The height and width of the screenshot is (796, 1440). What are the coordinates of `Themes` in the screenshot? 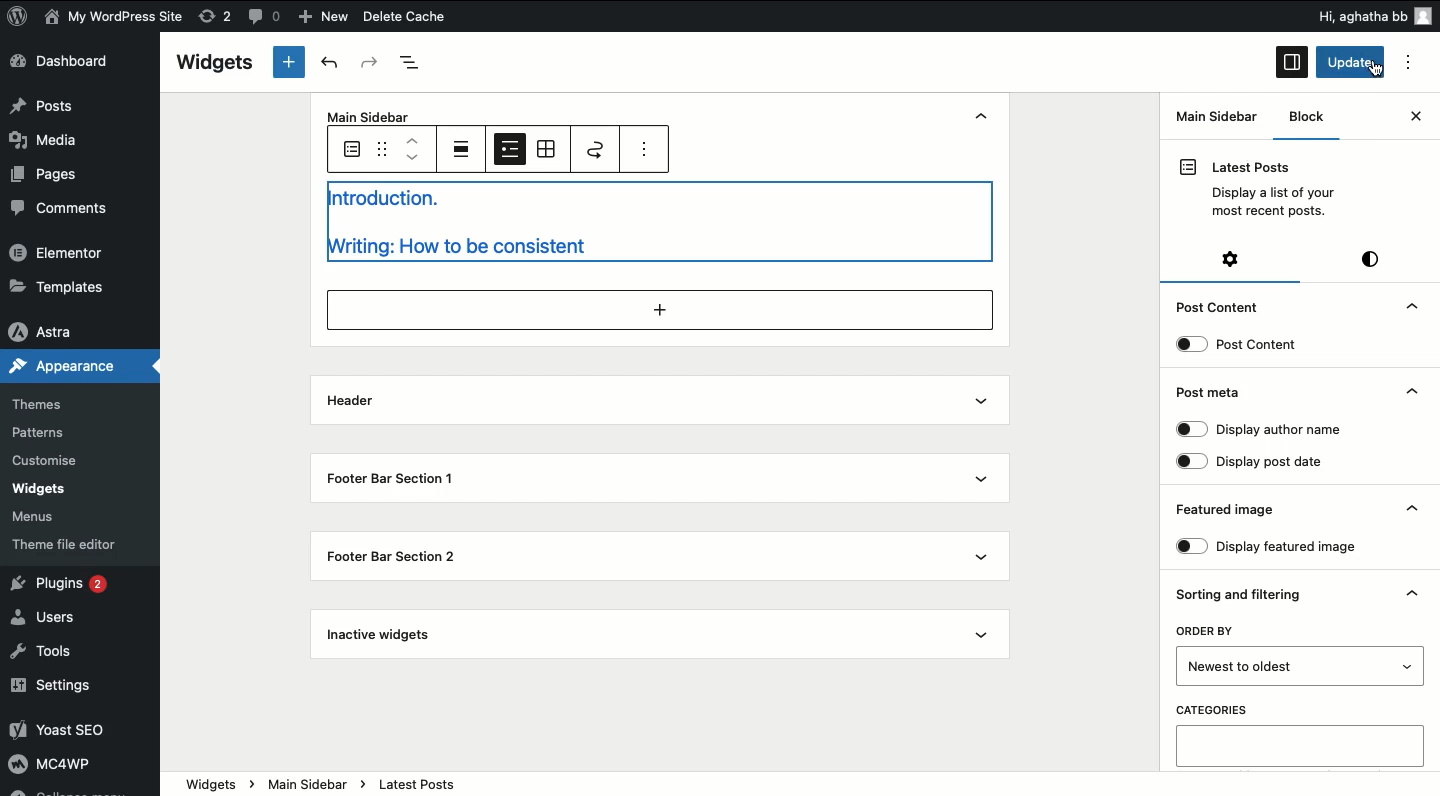 It's located at (54, 404).